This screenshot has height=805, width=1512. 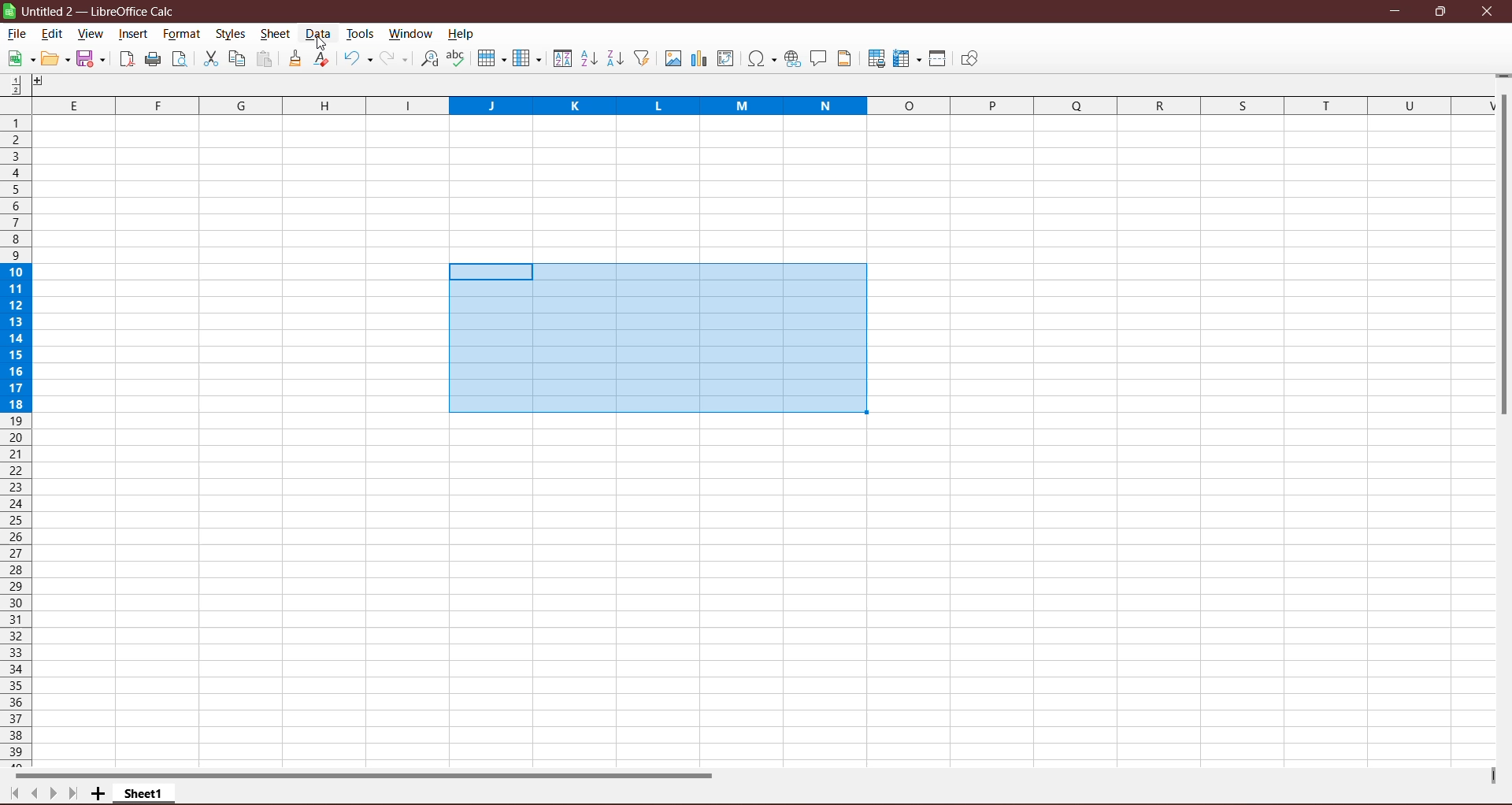 I want to click on Format, so click(x=181, y=34).